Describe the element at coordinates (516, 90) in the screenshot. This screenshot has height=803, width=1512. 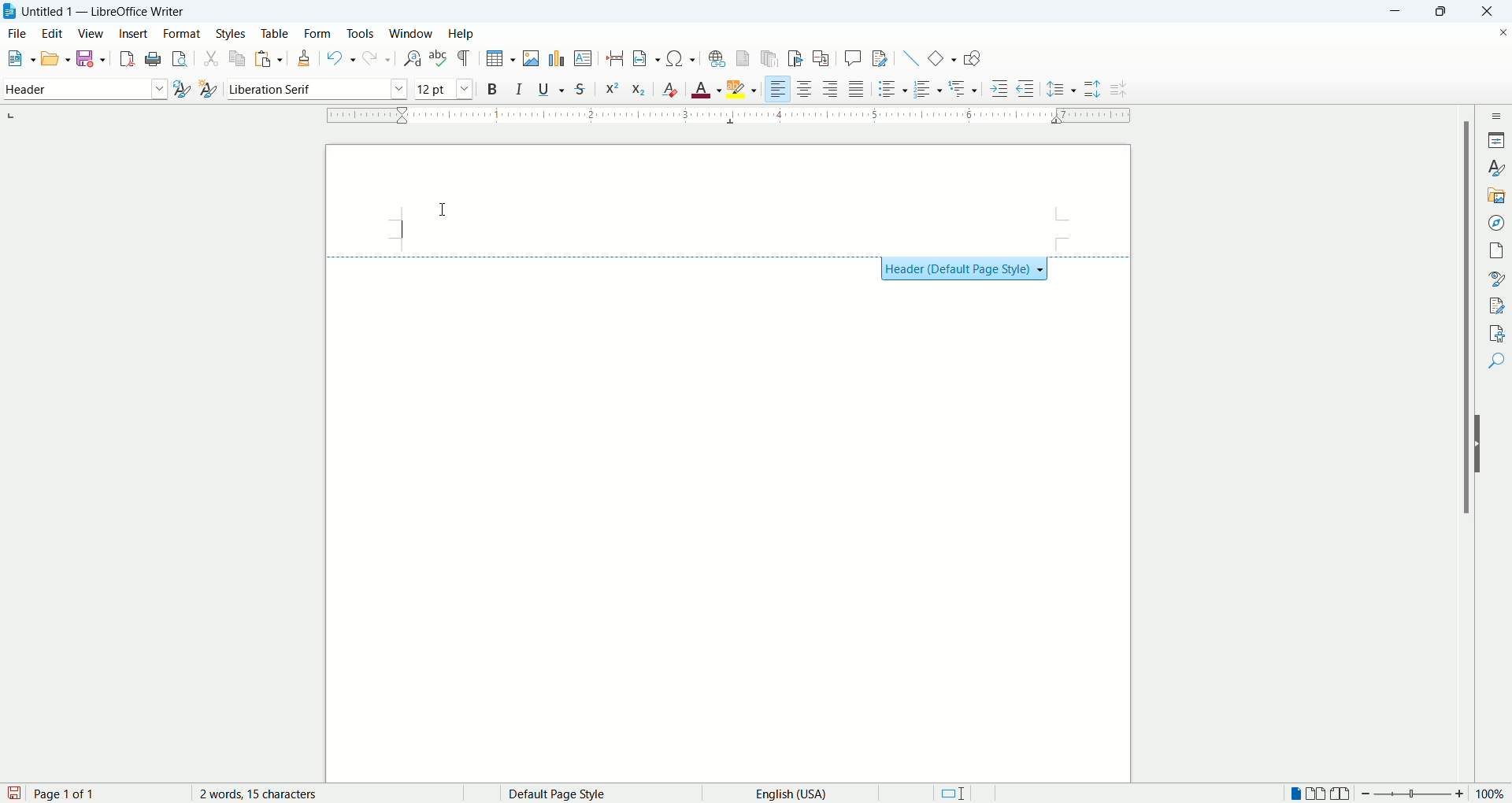
I see `italic` at that location.